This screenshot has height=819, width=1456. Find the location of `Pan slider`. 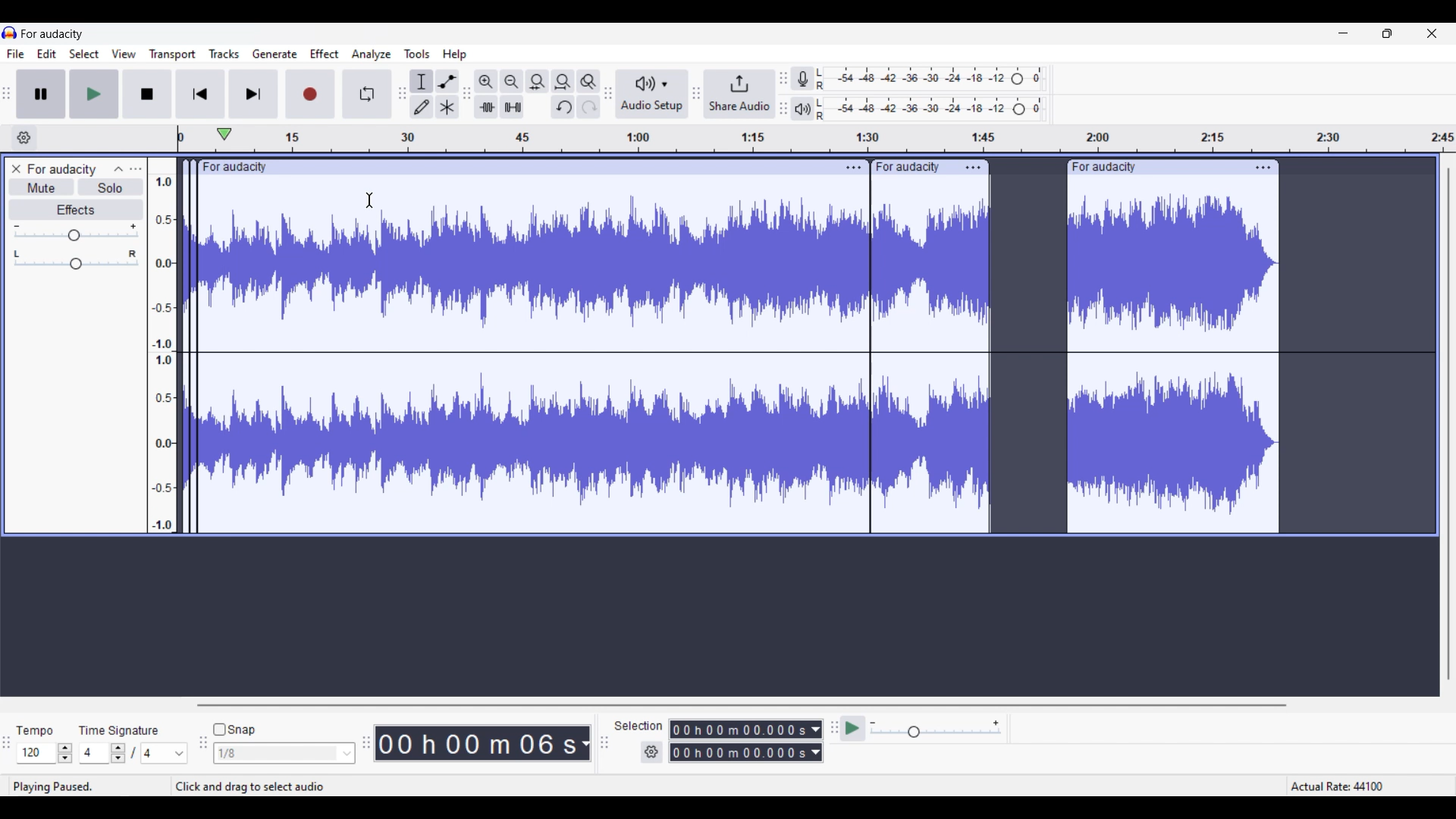

Pan slider is located at coordinates (76, 258).